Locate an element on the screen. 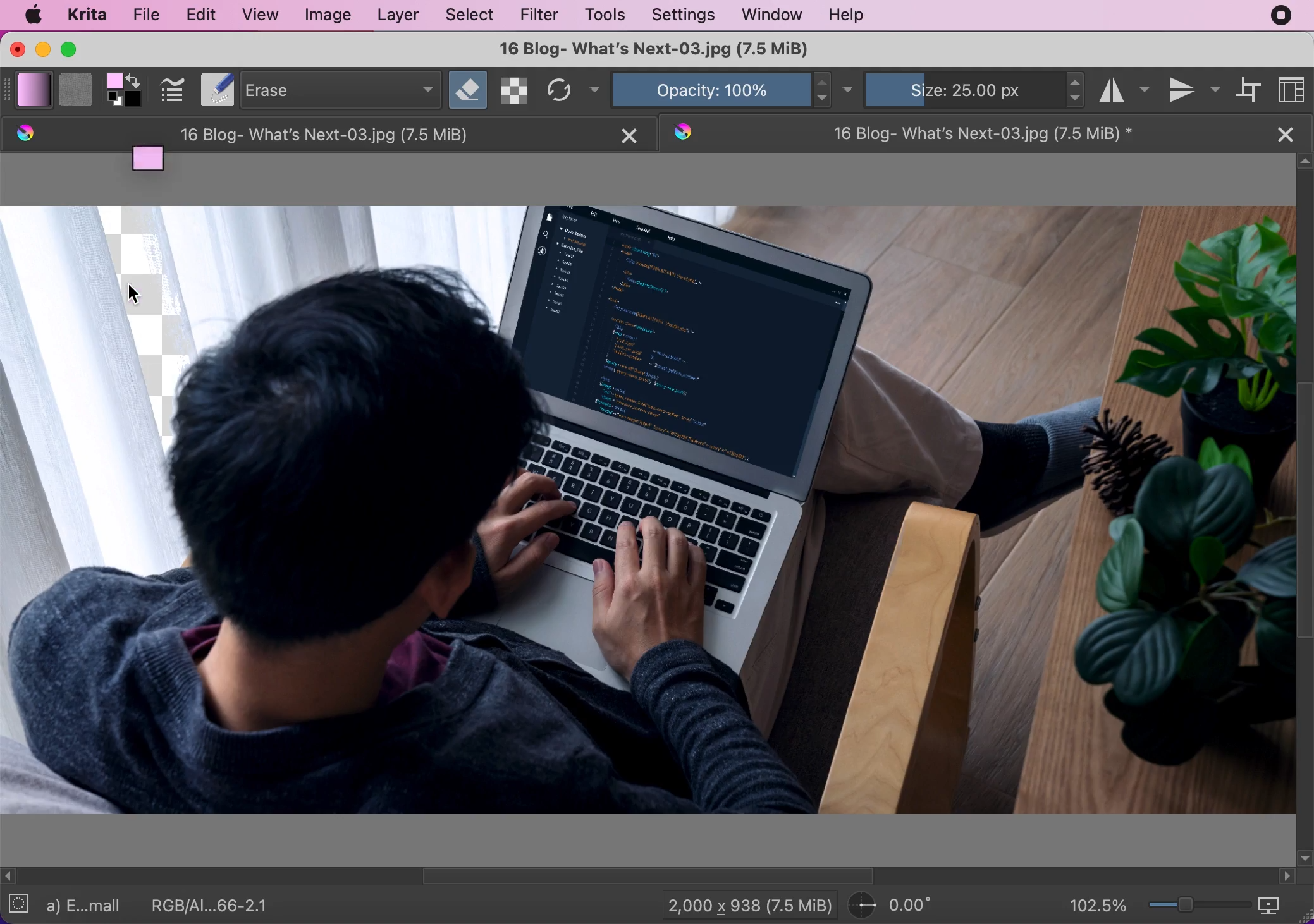 The height and width of the screenshot is (924, 1314). close is located at coordinates (1288, 134).